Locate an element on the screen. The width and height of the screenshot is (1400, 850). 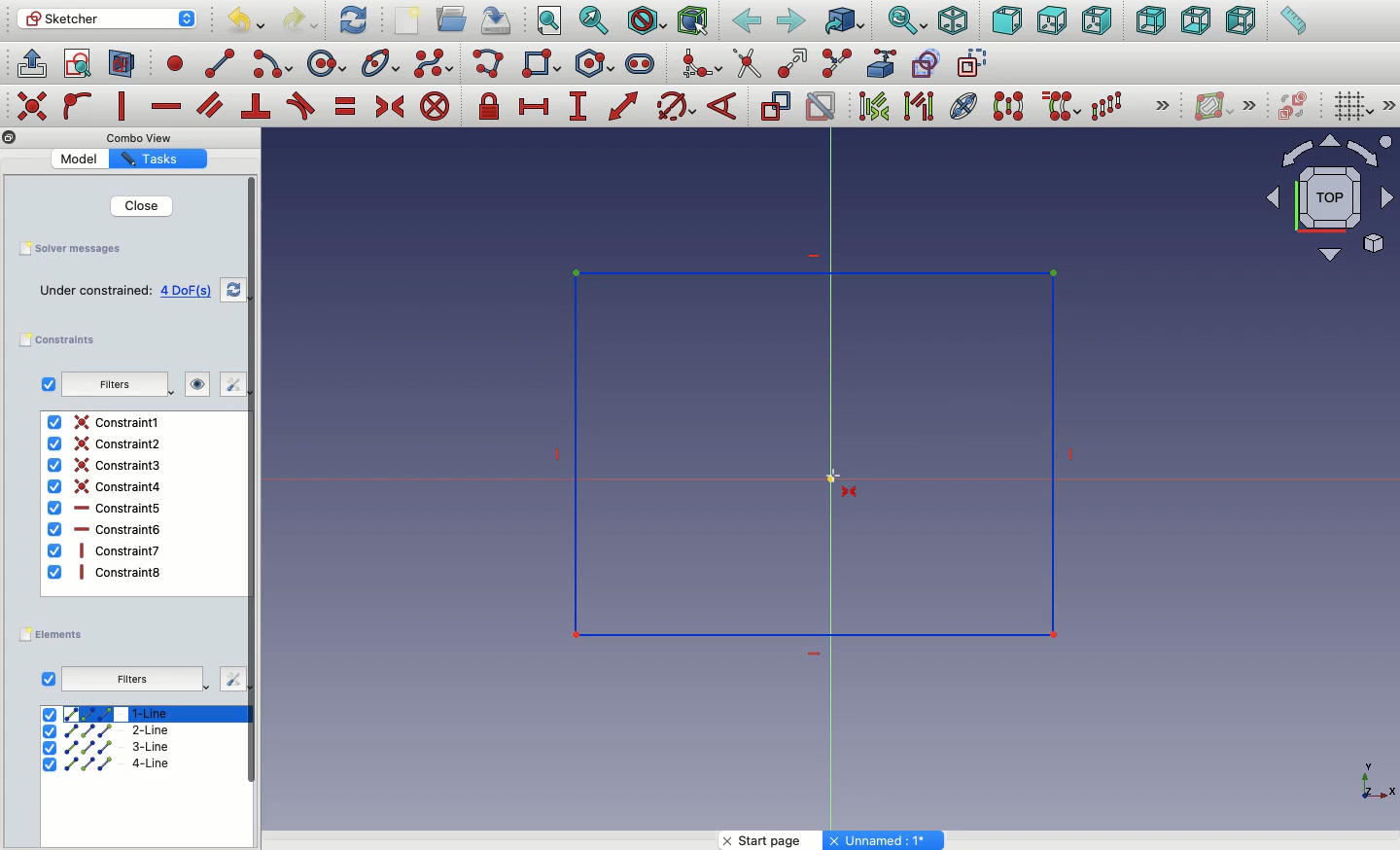
filters is located at coordinates (112, 386).